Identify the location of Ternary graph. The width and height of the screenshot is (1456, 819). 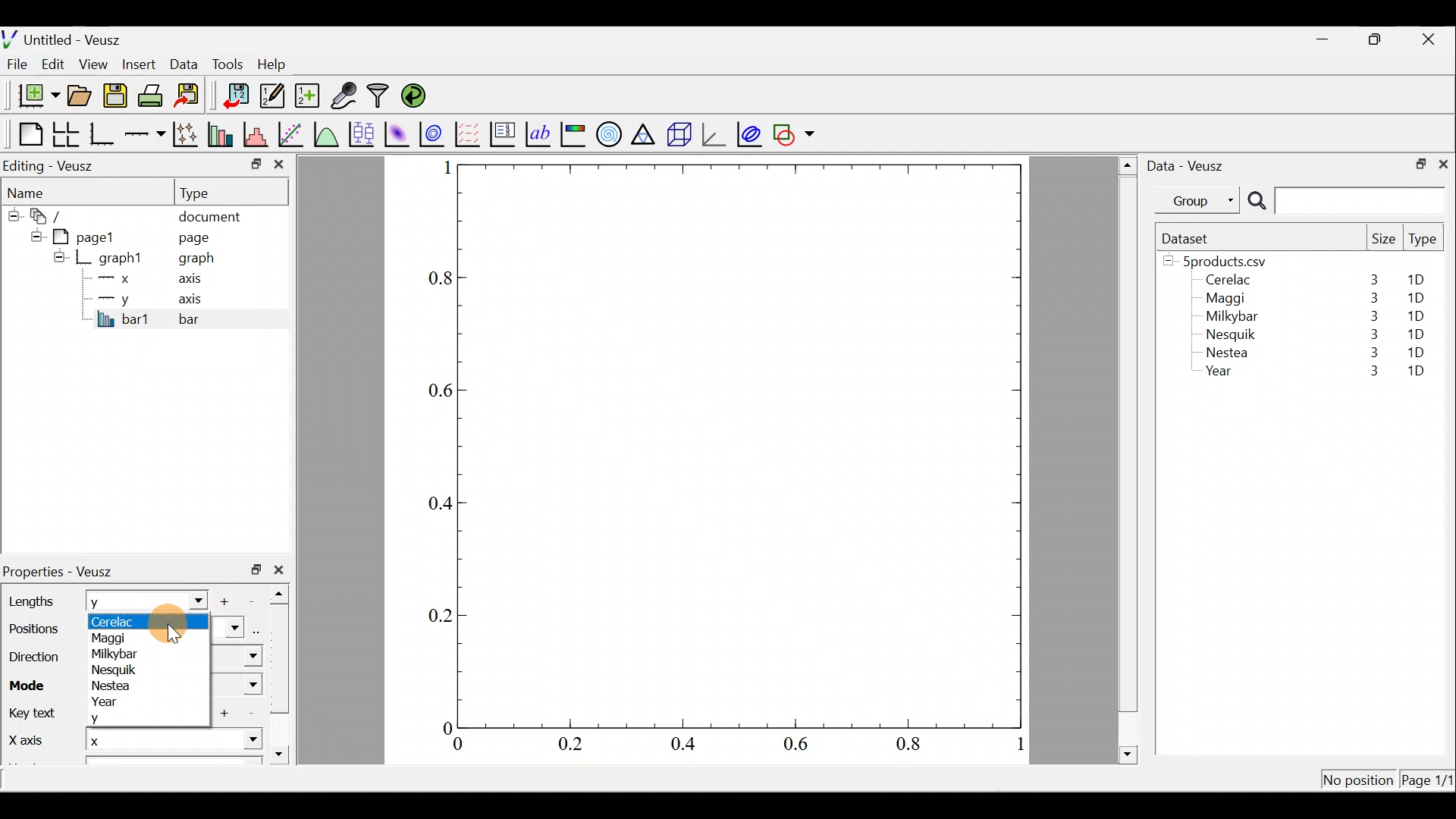
(645, 132).